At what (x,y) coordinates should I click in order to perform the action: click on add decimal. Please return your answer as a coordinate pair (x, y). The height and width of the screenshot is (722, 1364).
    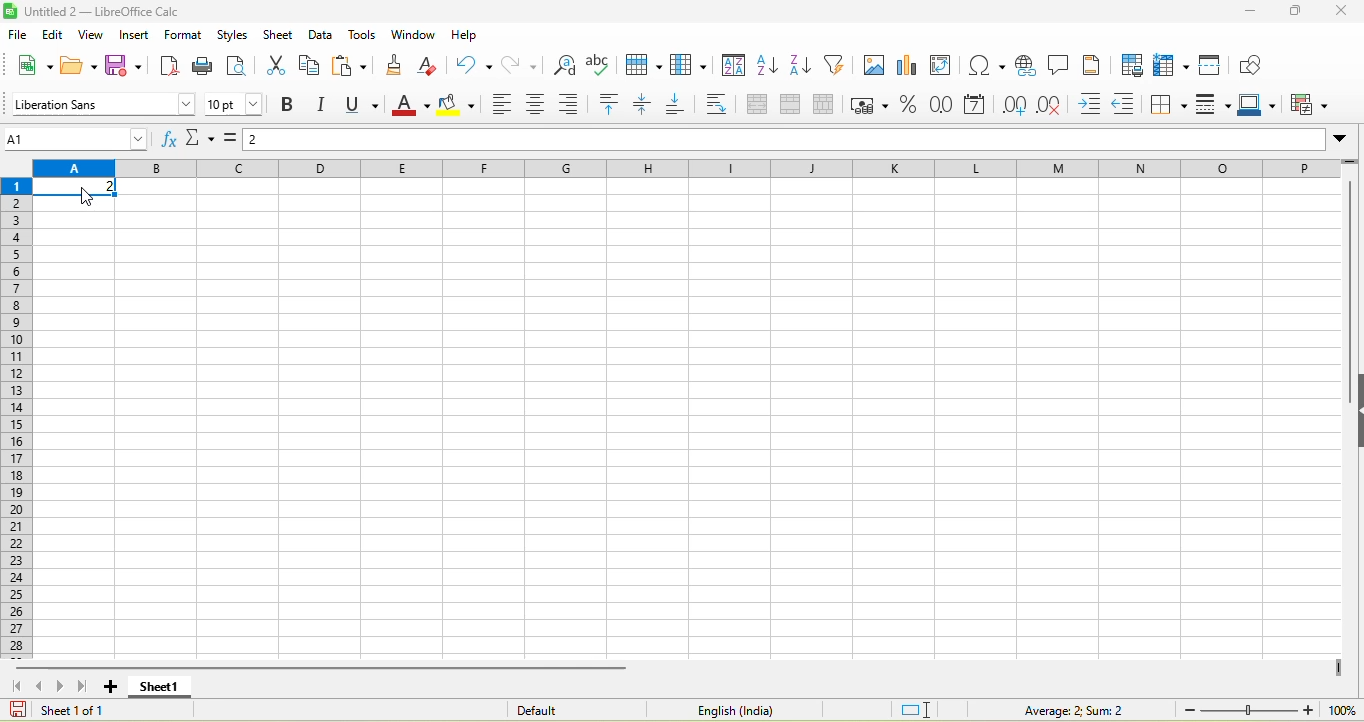
    Looking at the image, I should click on (1018, 105).